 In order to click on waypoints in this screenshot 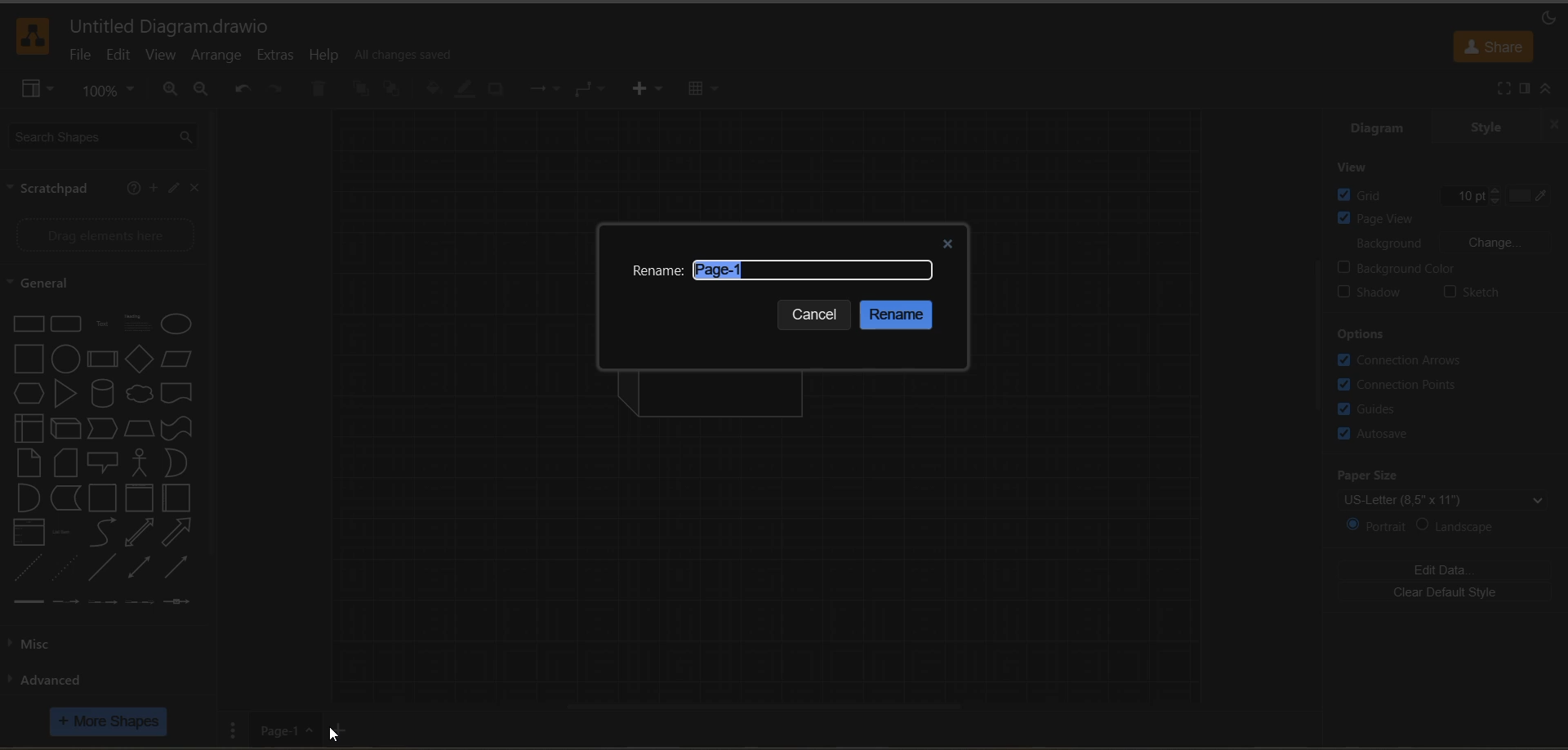, I will do `click(593, 90)`.